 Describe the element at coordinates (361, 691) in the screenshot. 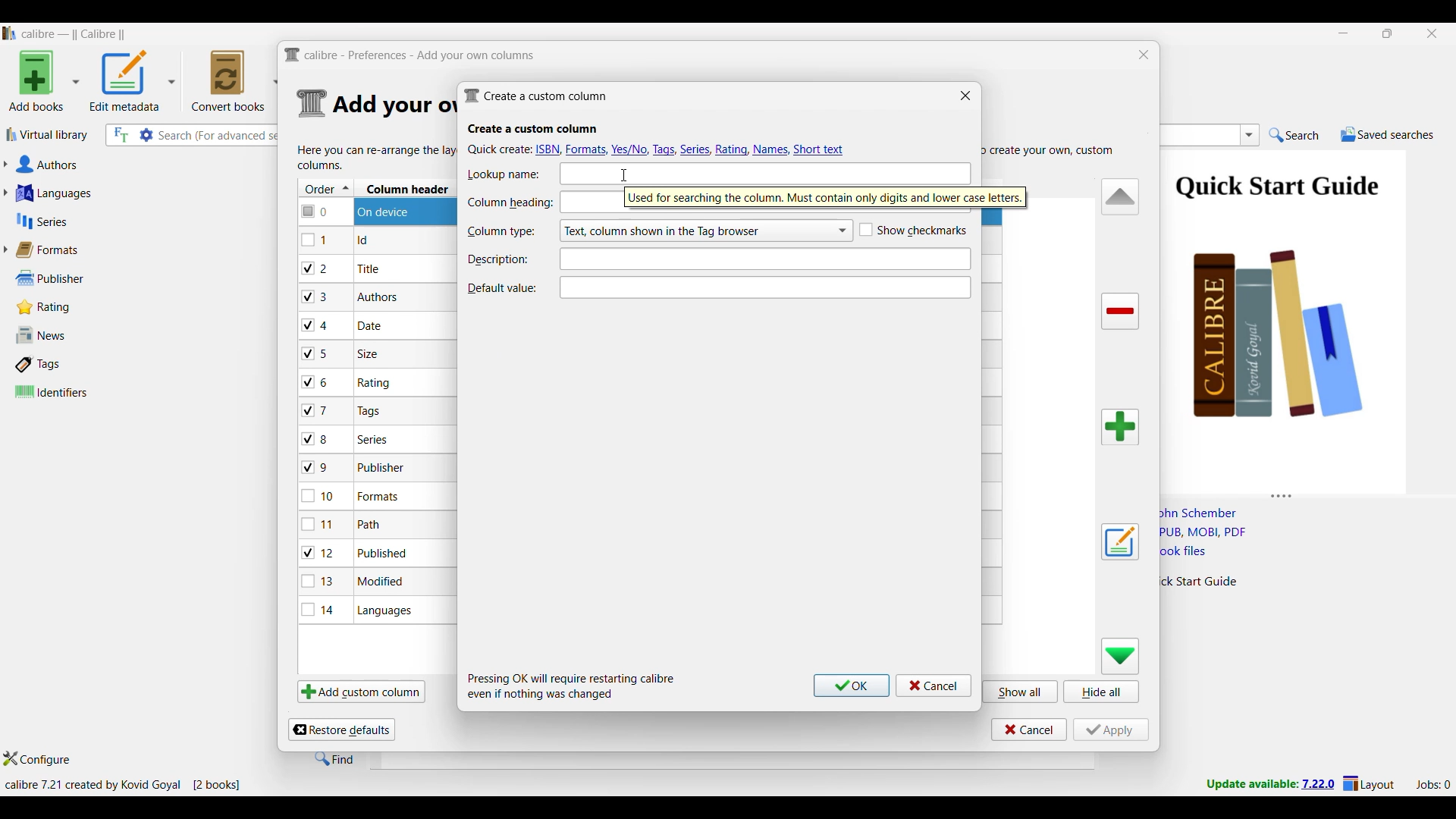

I see `Add custom column` at that location.